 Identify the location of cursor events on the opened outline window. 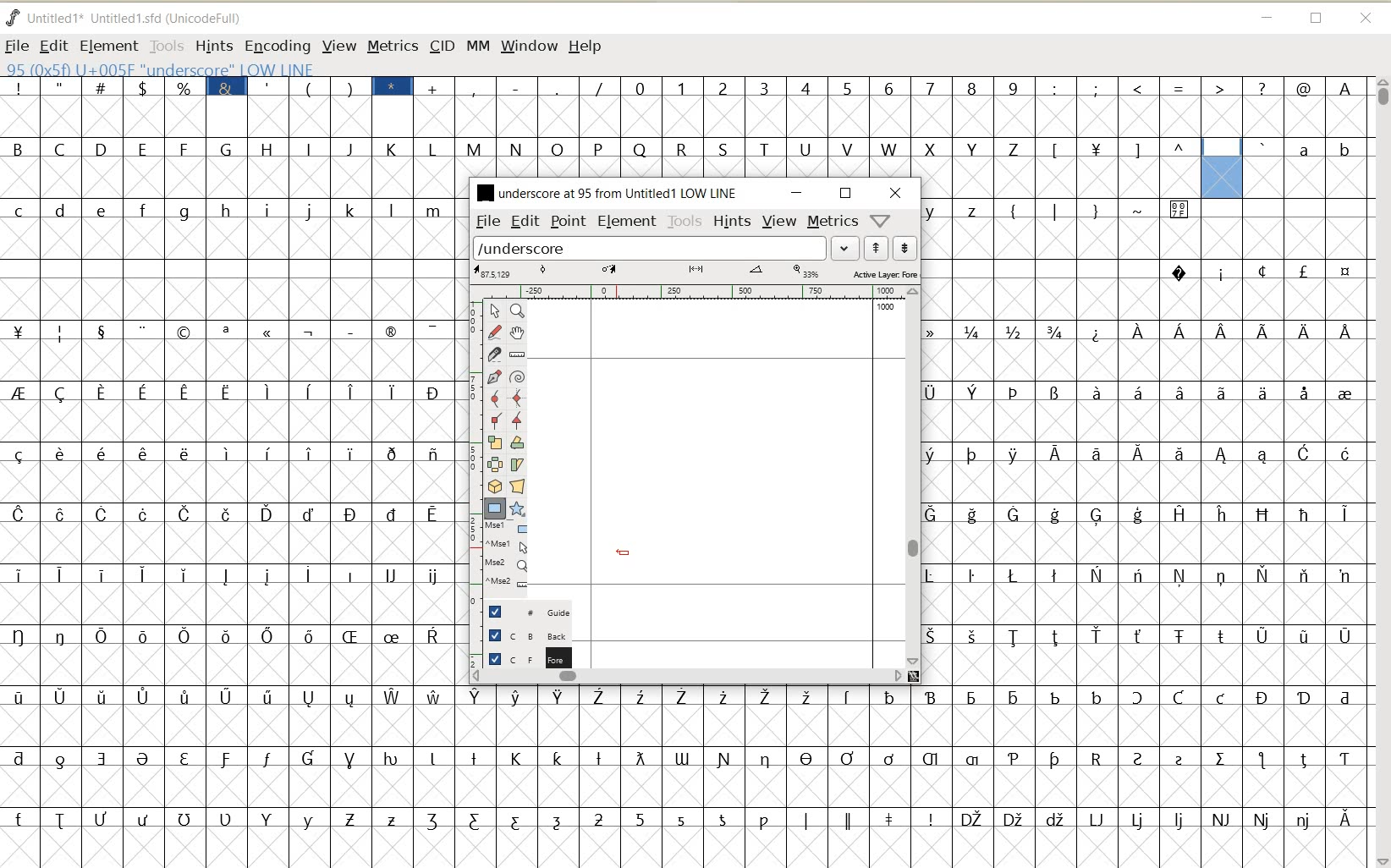
(507, 556).